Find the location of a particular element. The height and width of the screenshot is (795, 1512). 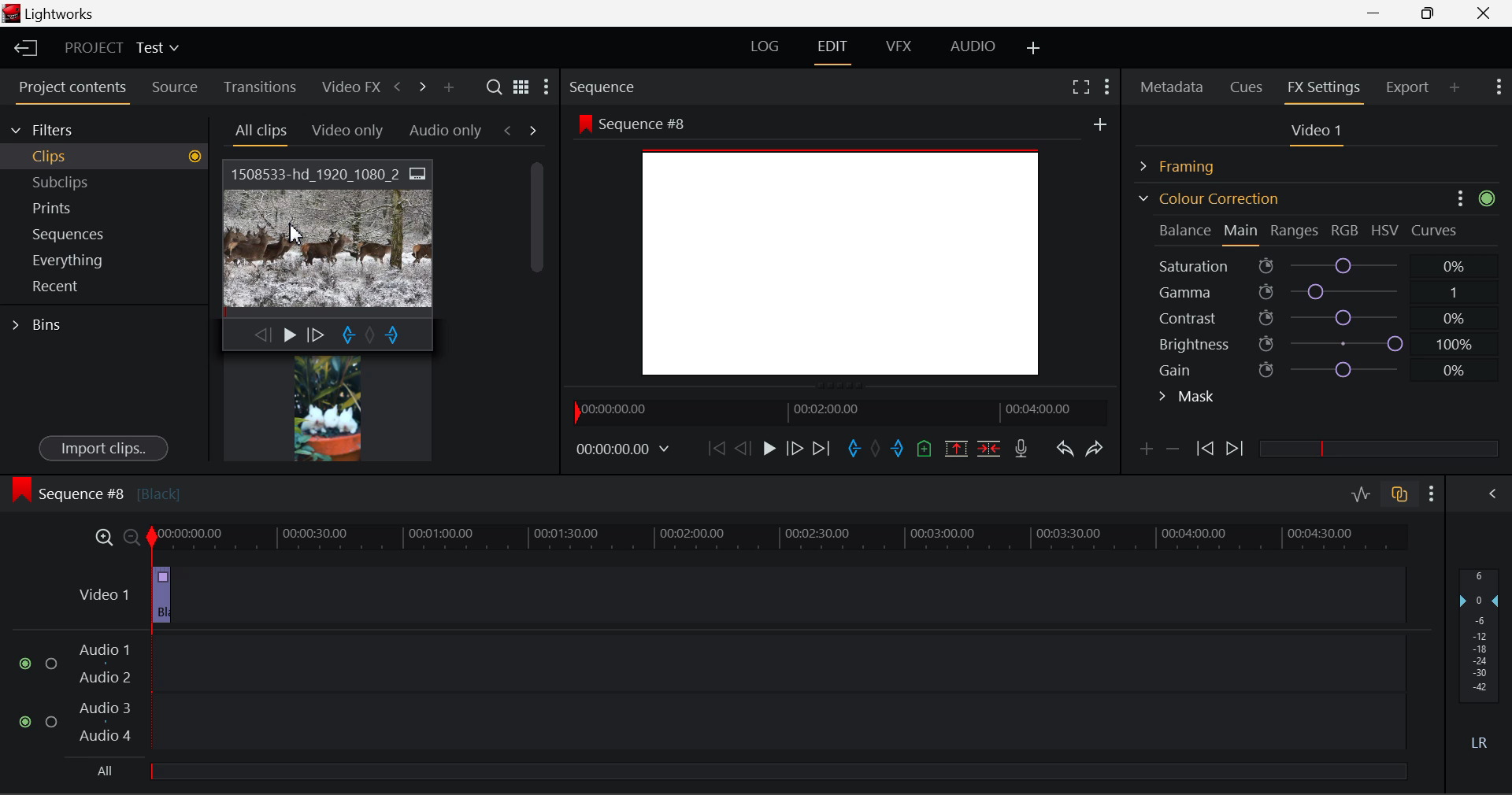

Import clips is located at coordinates (103, 449).